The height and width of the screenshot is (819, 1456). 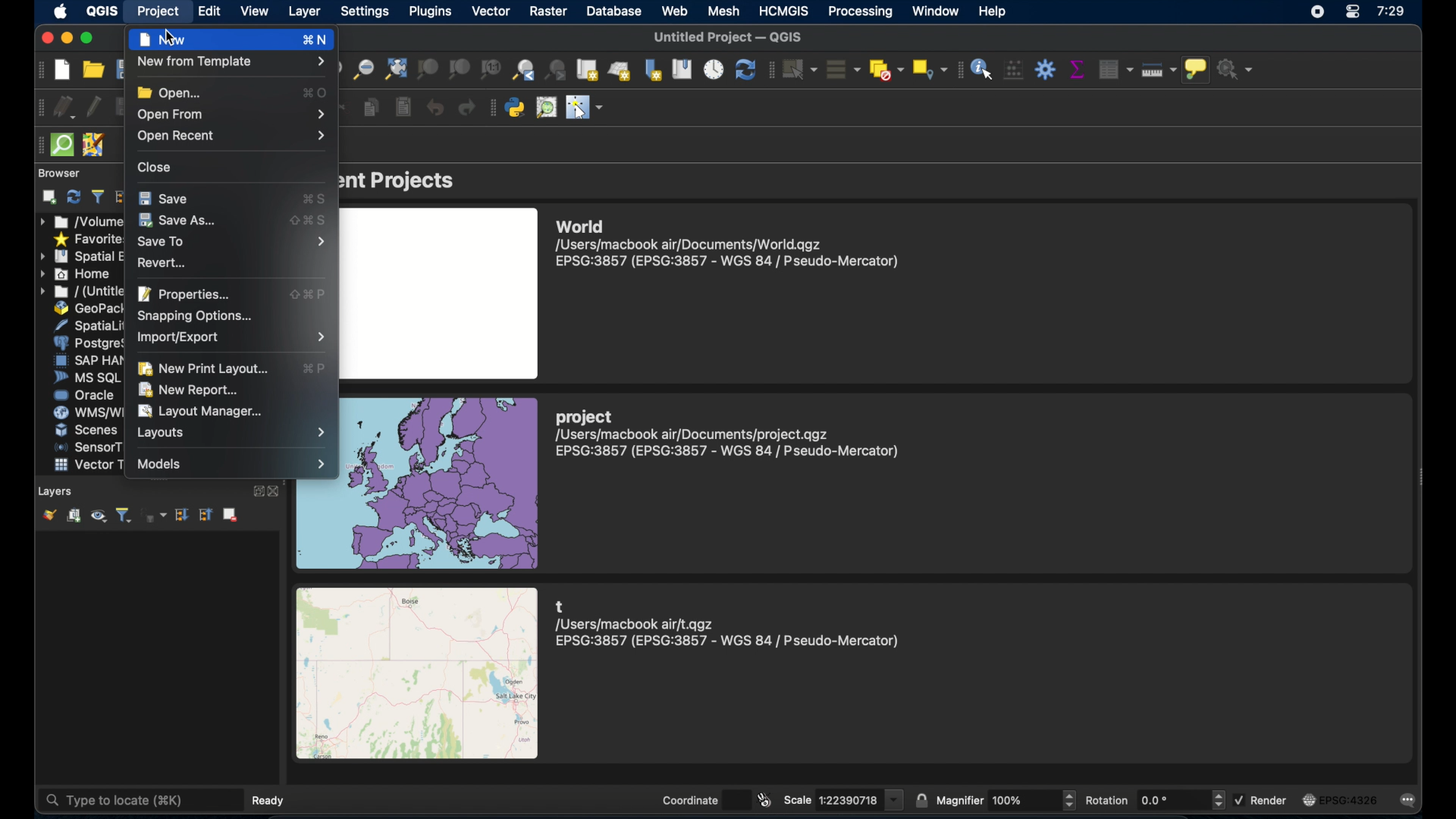 What do you see at coordinates (858, 11) in the screenshot?
I see `processing` at bounding box center [858, 11].